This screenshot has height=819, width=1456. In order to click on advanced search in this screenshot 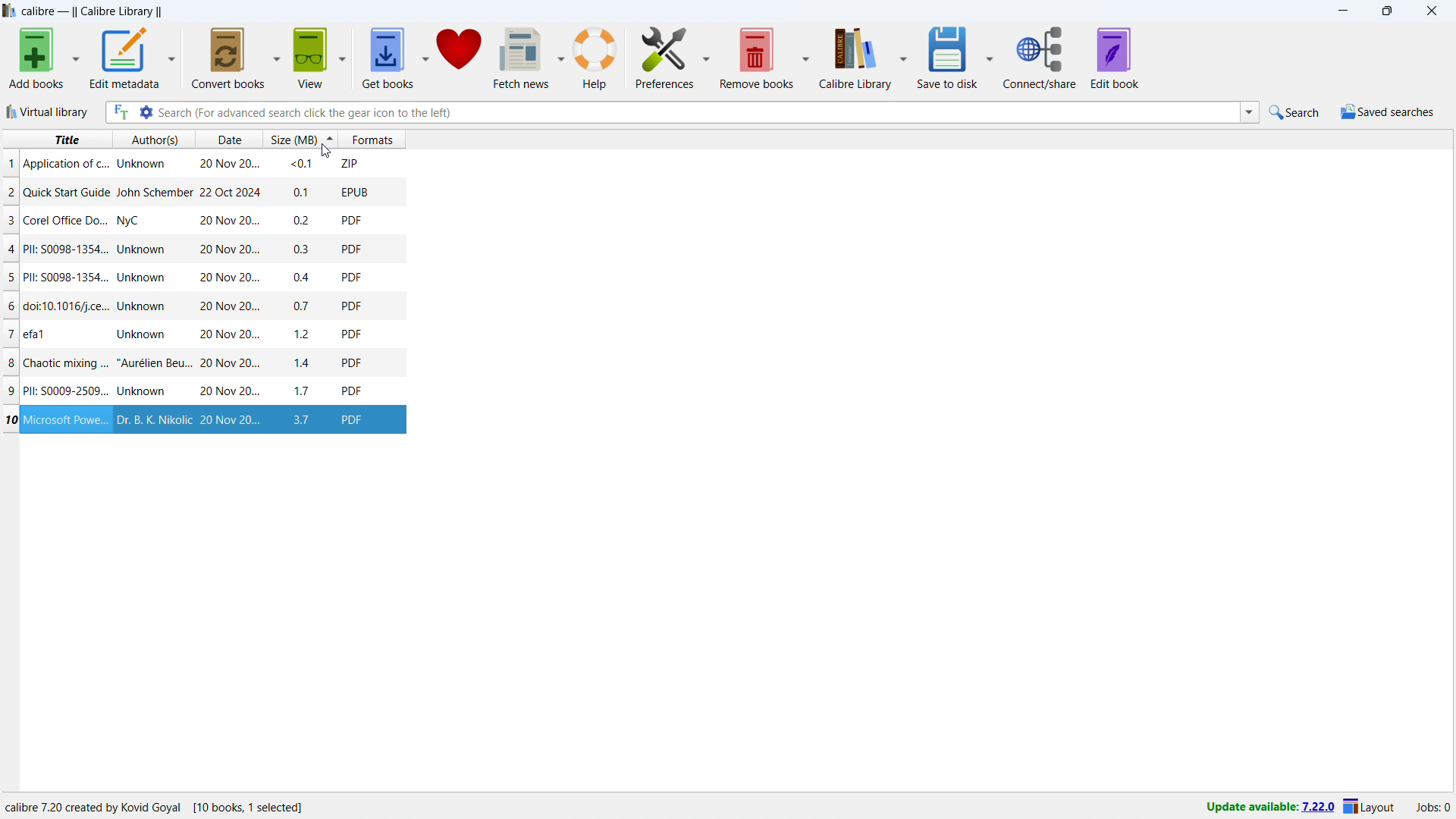, I will do `click(146, 112)`.